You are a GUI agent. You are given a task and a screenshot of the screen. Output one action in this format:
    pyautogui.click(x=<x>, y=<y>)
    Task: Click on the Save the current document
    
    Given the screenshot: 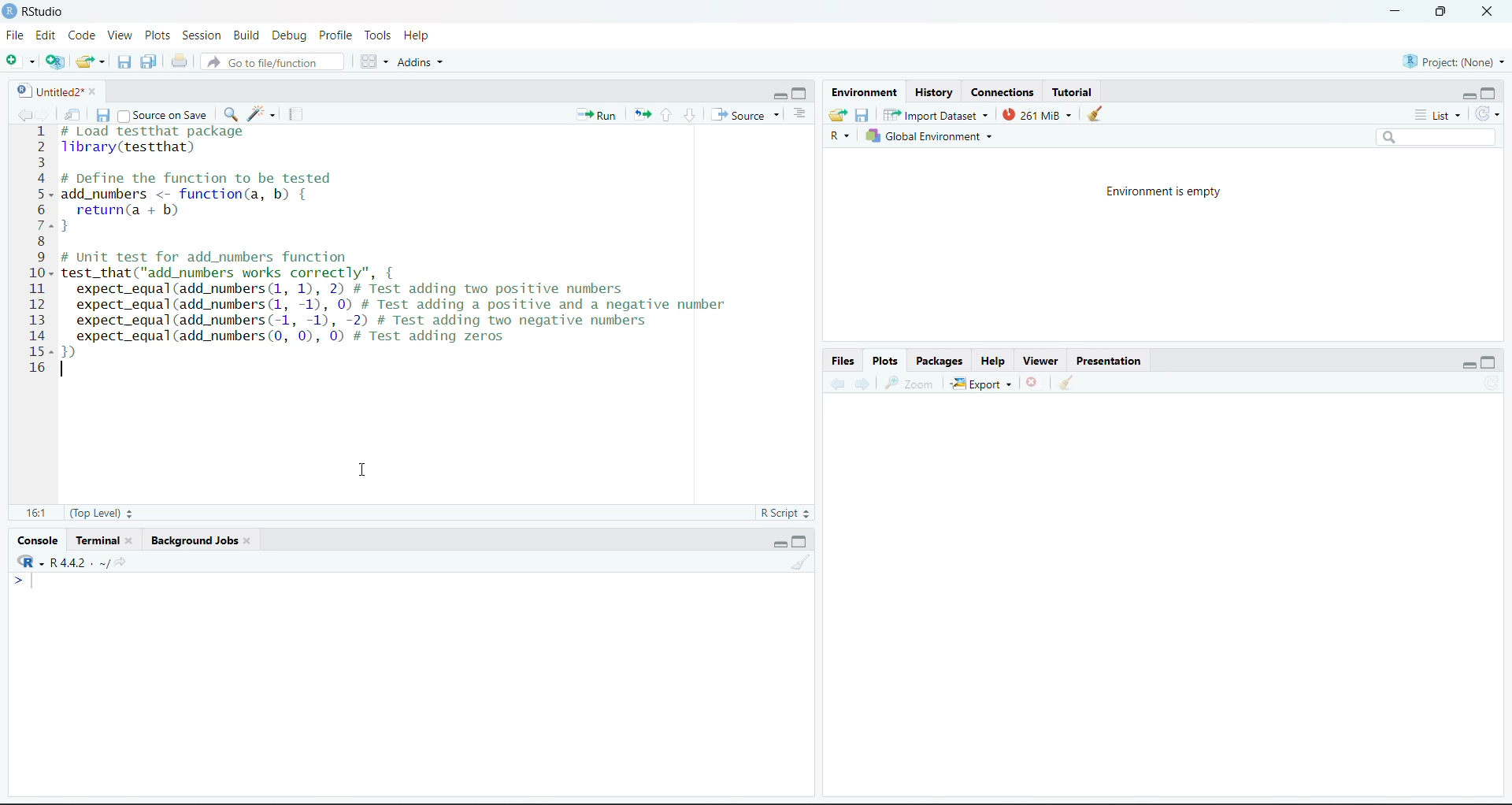 What is the action you would take?
    pyautogui.click(x=124, y=61)
    